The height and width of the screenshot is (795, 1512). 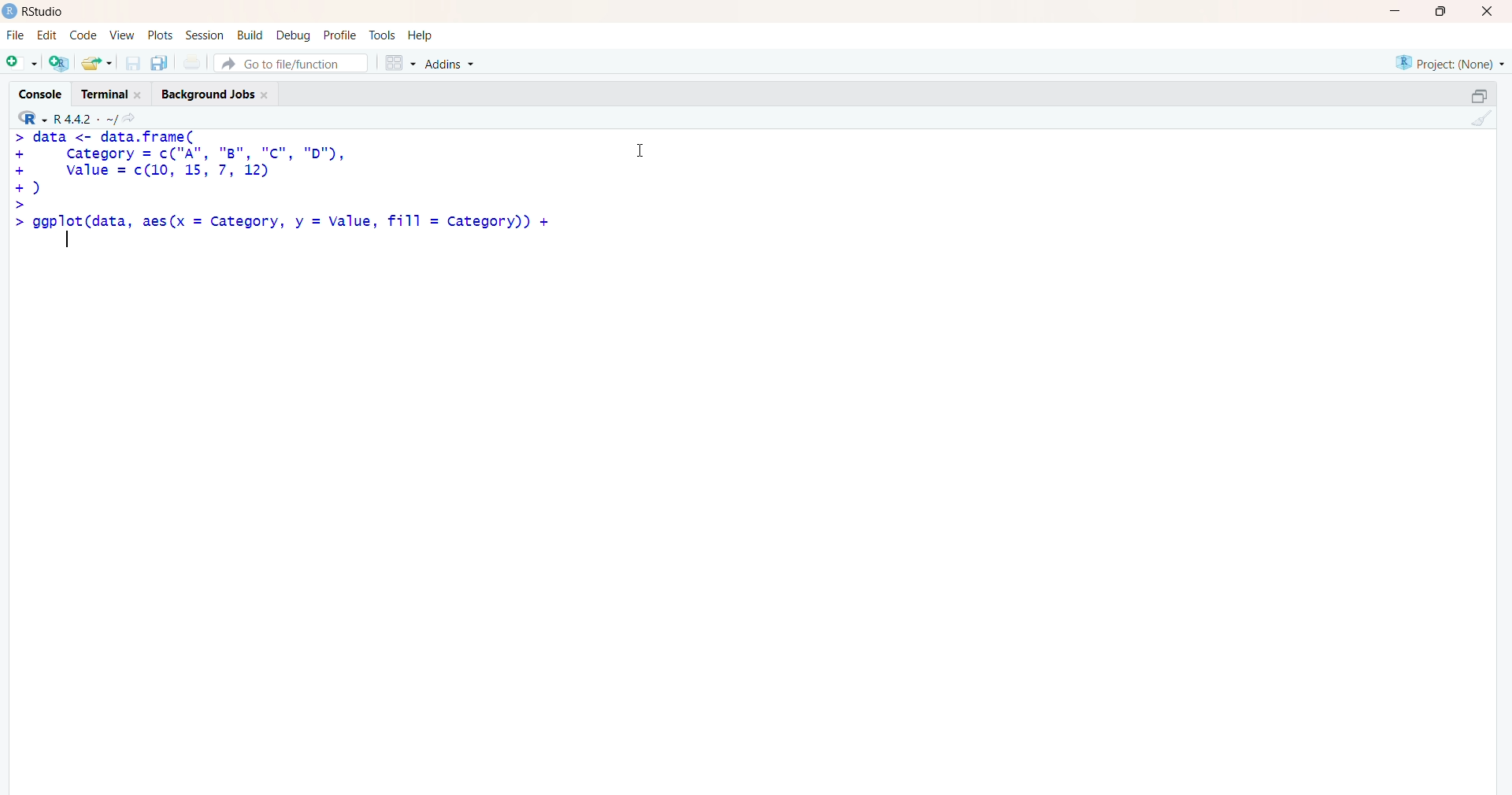 I want to click on minimize, so click(x=1400, y=11).